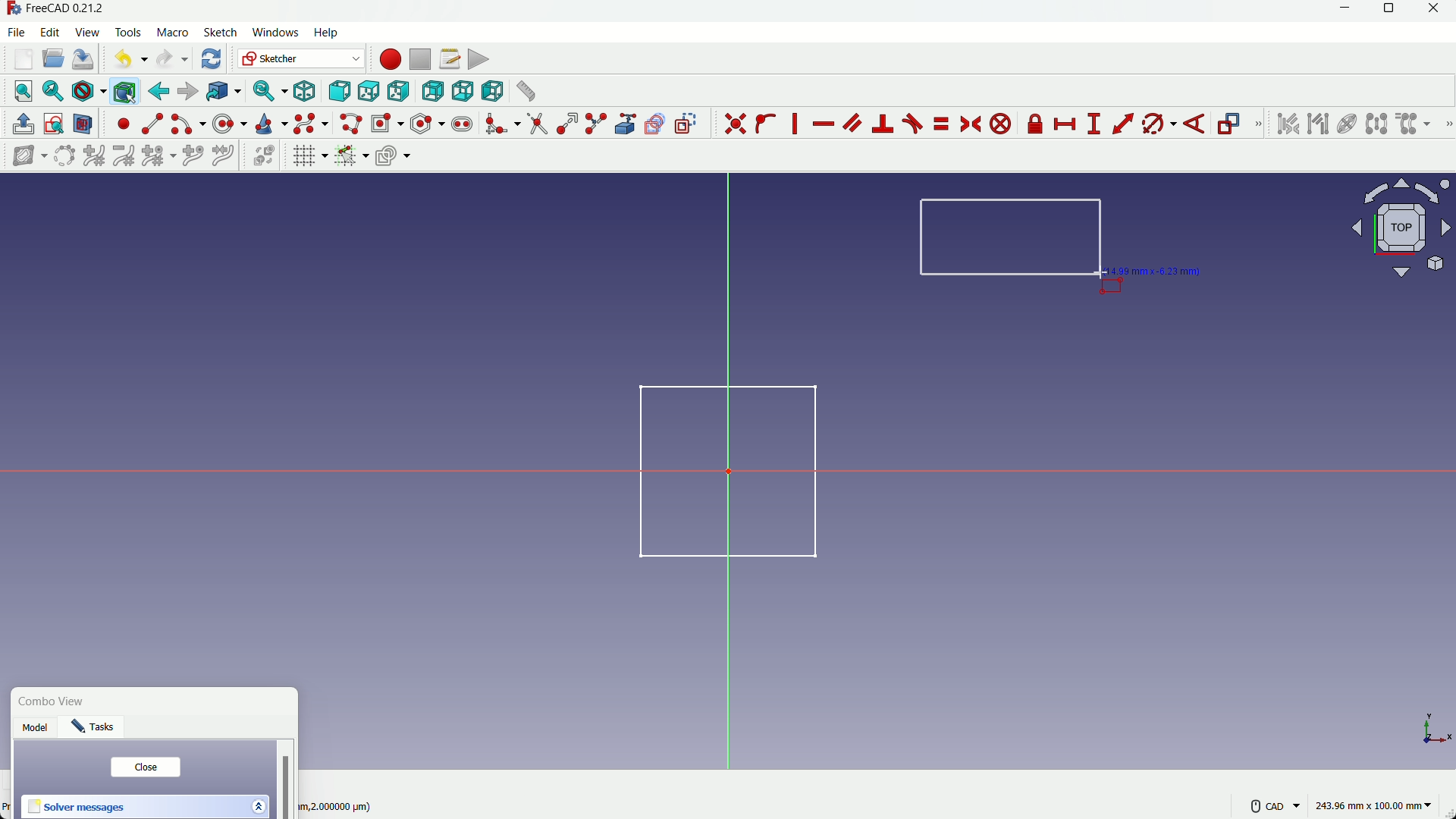 The image size is (1456, 819). Describe the element at coordinates (124, 91) in the screenshot. I see `bounding box` at that location.